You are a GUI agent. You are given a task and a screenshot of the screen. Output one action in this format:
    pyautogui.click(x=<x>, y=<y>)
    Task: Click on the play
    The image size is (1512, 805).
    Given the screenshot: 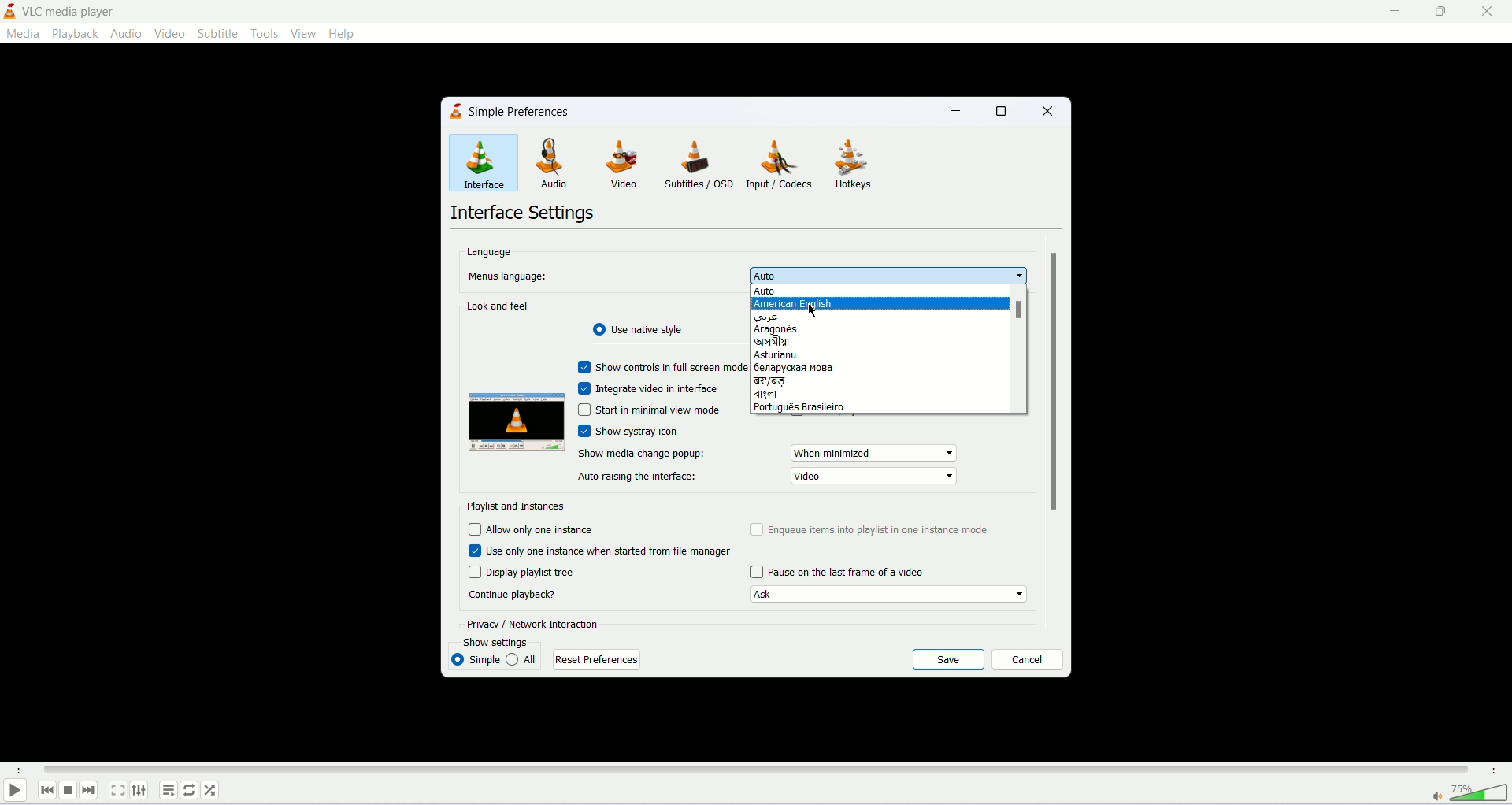 What is the action you would take?
    pyautogui.click(x=14, y=792)
    